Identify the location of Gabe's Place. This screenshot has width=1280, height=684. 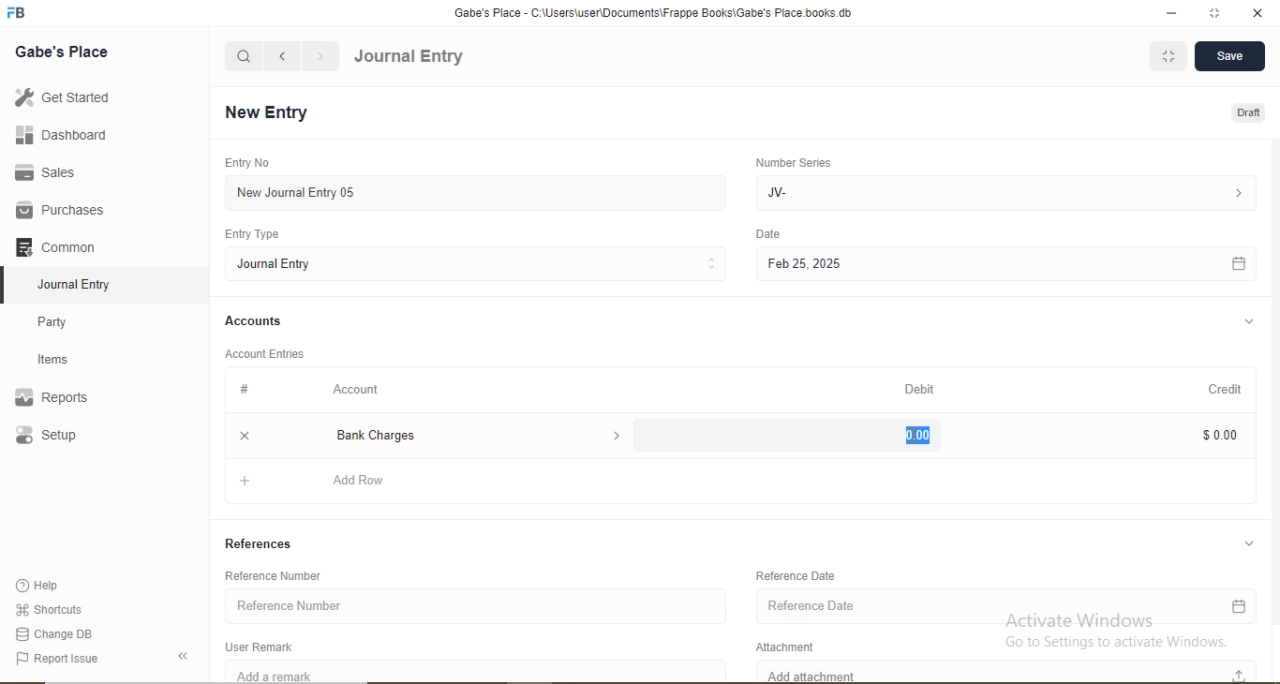
(64, 51).